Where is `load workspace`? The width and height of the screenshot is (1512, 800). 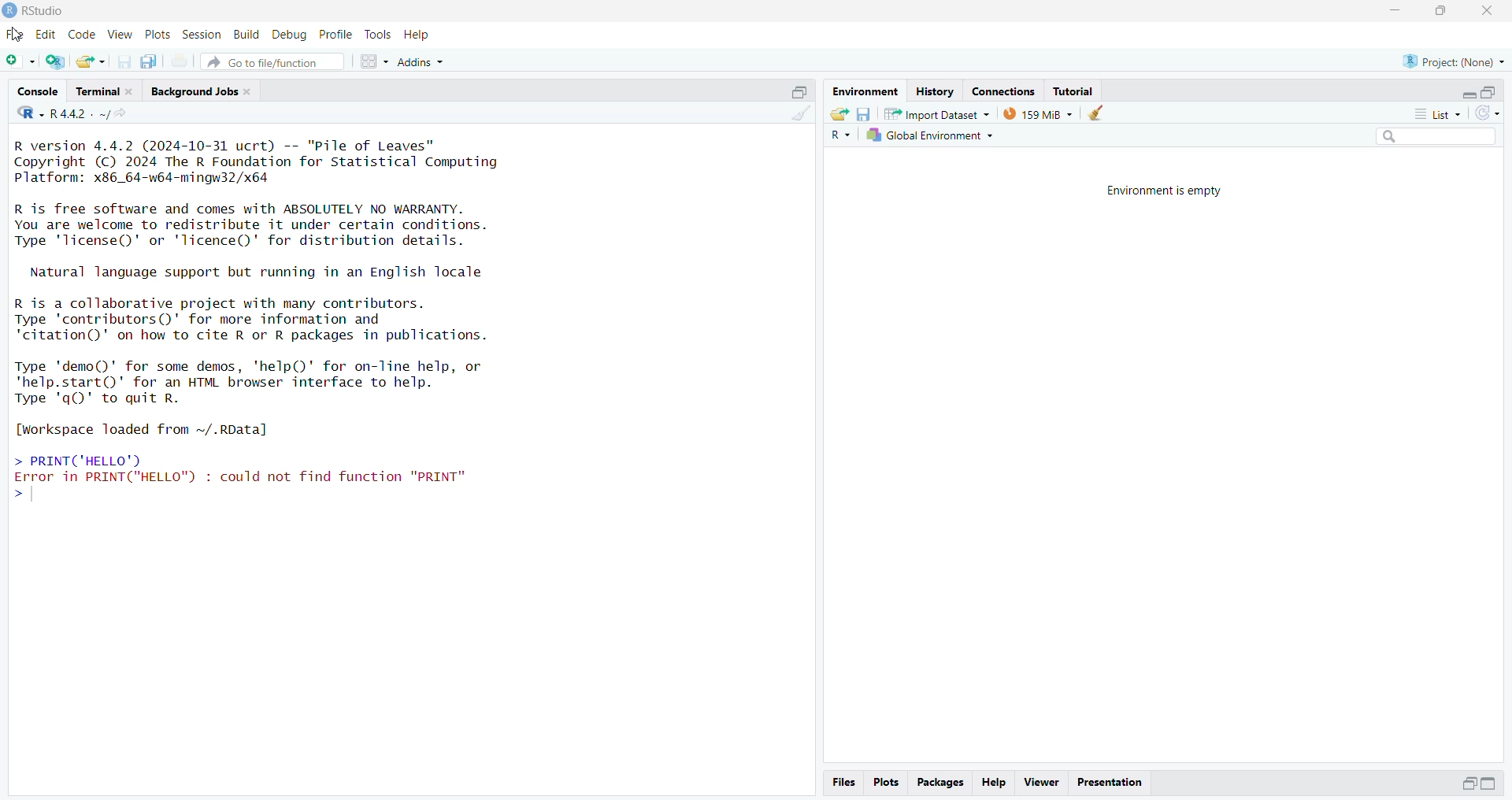
load workspace is located at coordinates (839, 113).